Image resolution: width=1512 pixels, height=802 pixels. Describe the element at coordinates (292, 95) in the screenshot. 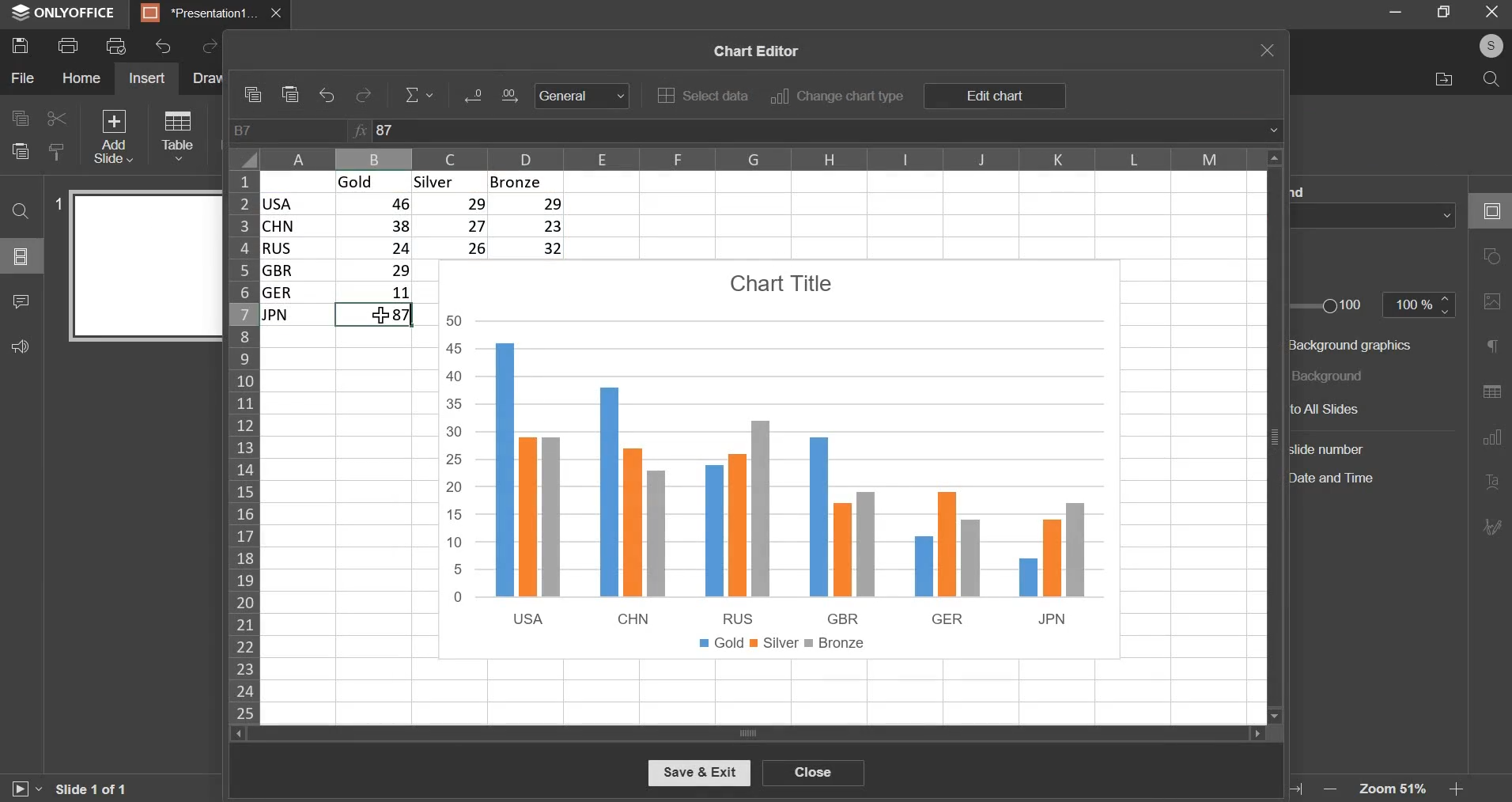

I see `paste` at that location.